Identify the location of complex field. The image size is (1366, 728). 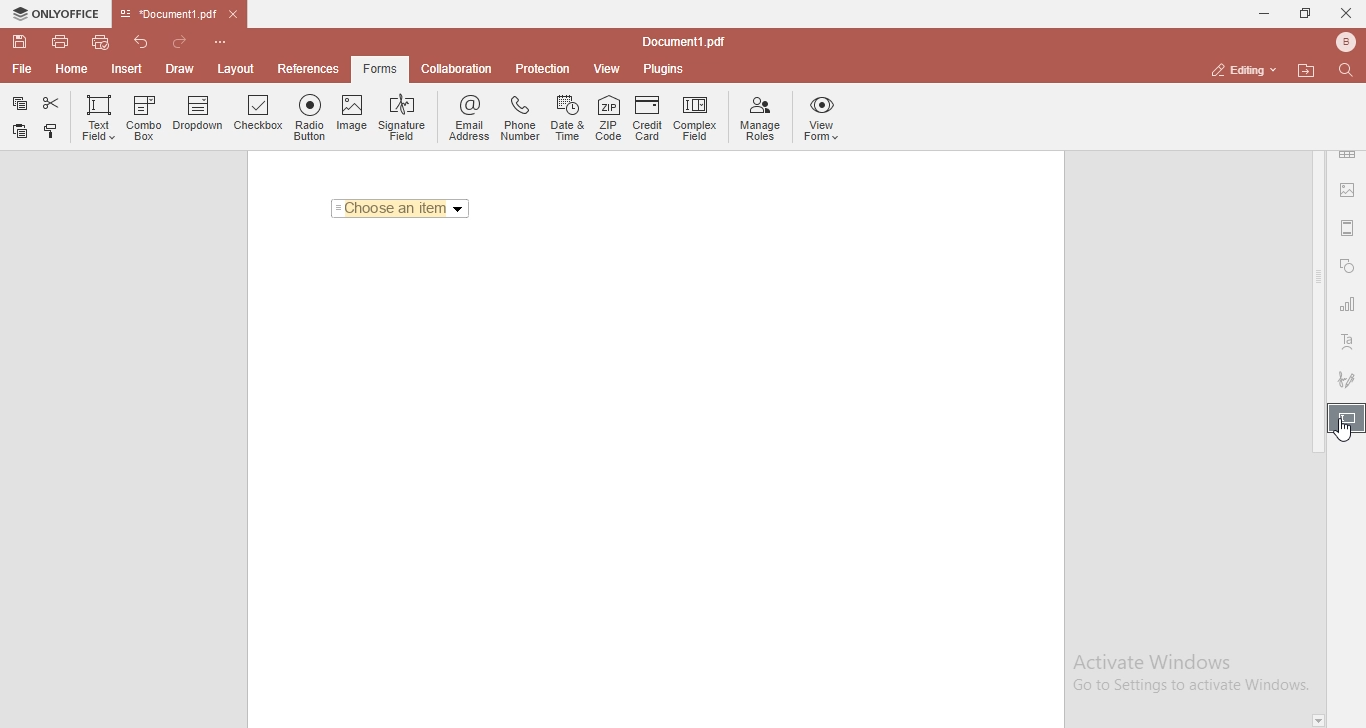
(695, 120).